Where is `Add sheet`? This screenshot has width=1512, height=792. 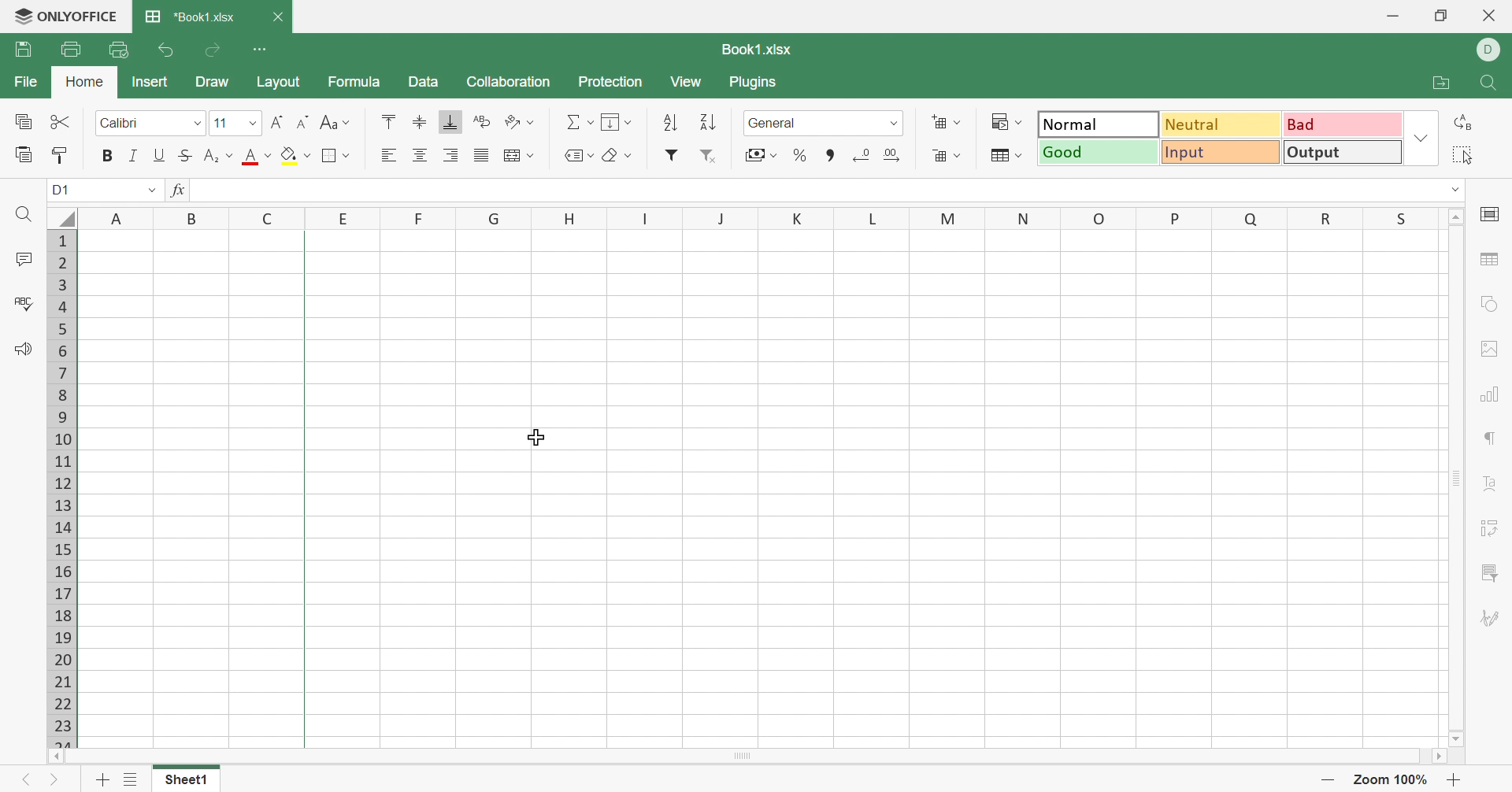 Add sheet is located at coordinates (99, 779).